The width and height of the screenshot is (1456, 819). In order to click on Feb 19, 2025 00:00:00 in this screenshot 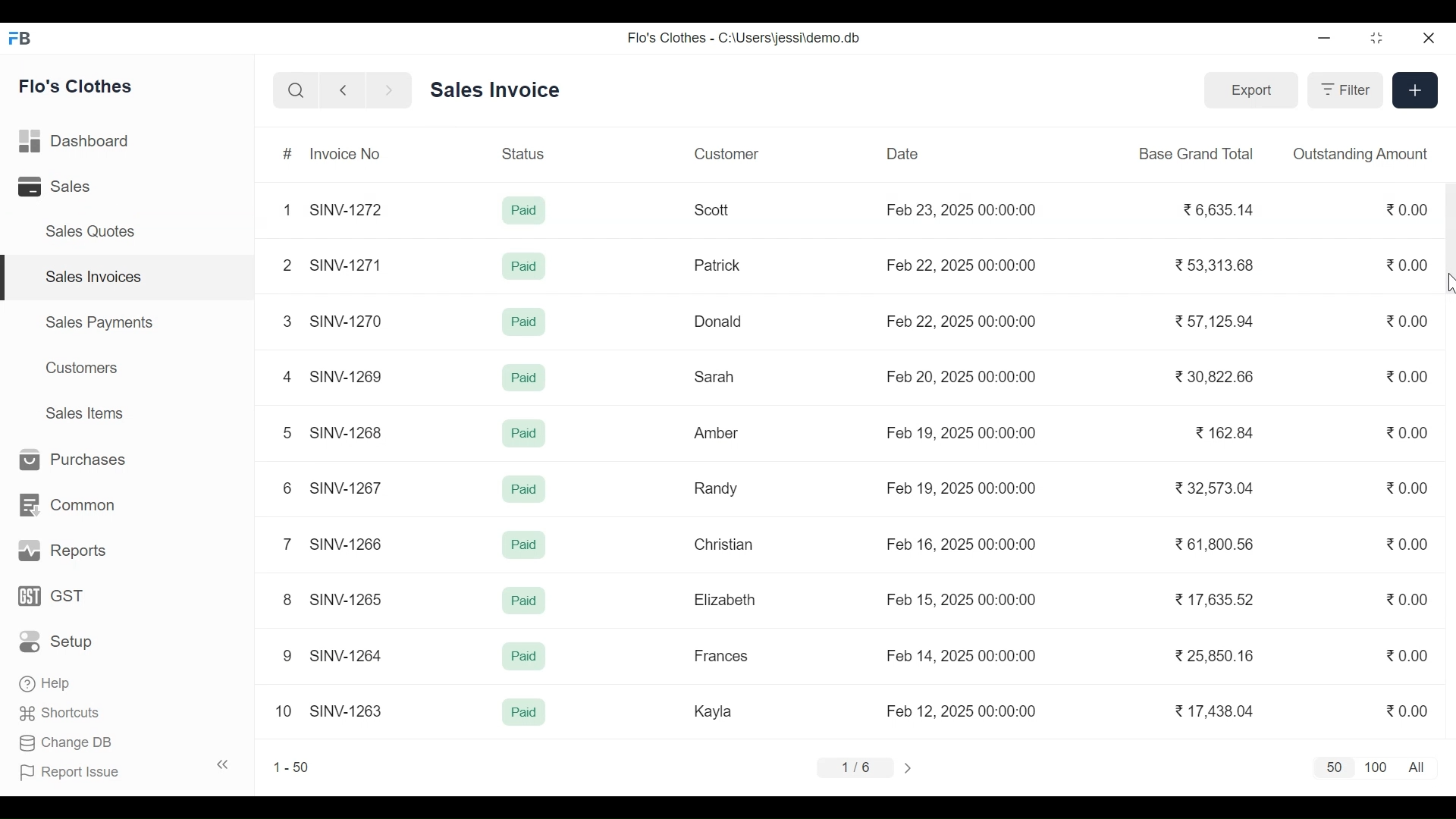, I will do `click(963, 432)`.